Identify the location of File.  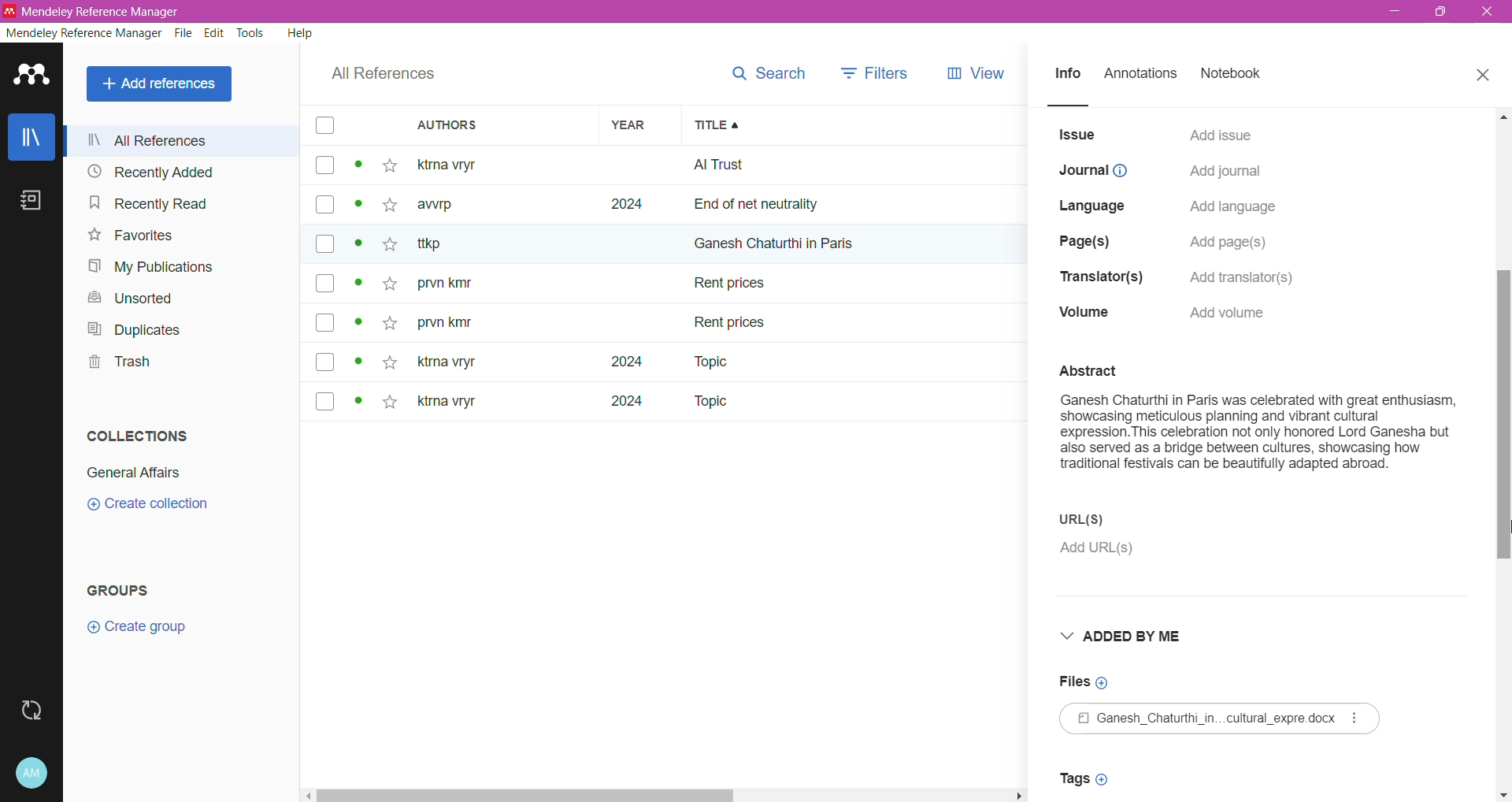
(184, 35).